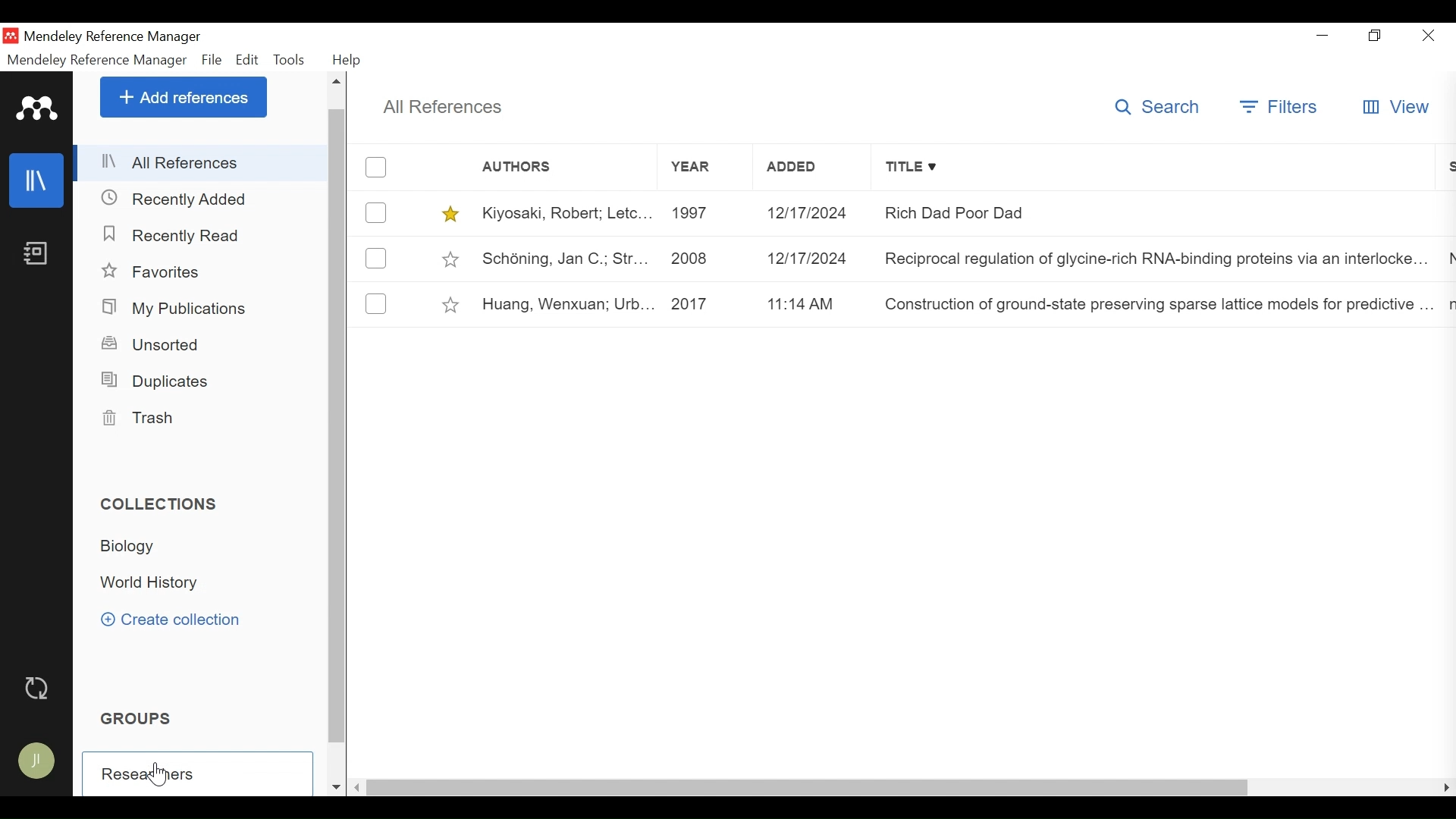 The height and width of the screenshot is (819, 1456). What do you see at coordinates (349, 60) in the screenshot?
I see `Help` at bounding box center [349, 60].